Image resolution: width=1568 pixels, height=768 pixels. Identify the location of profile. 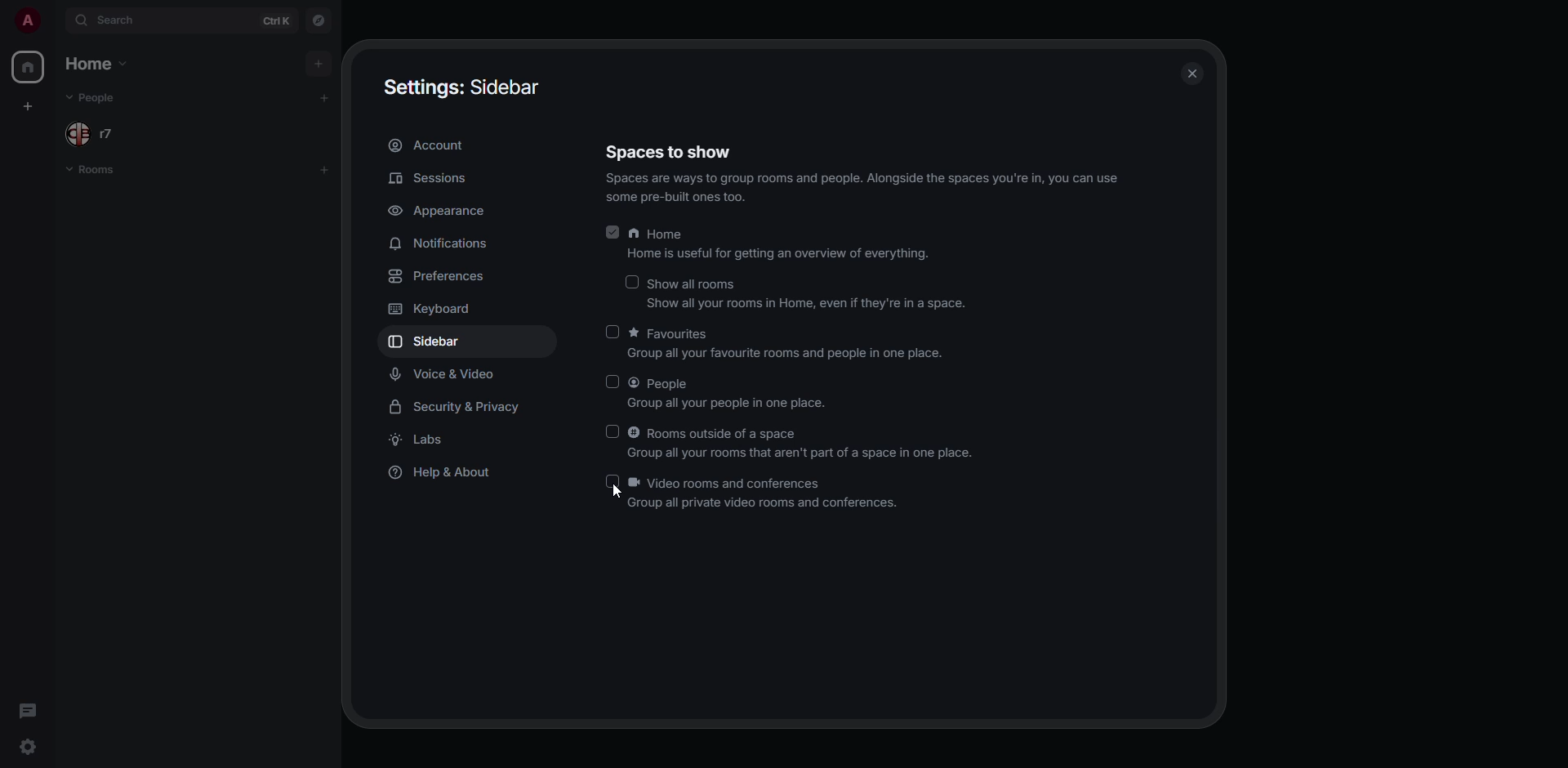
(27, 20).